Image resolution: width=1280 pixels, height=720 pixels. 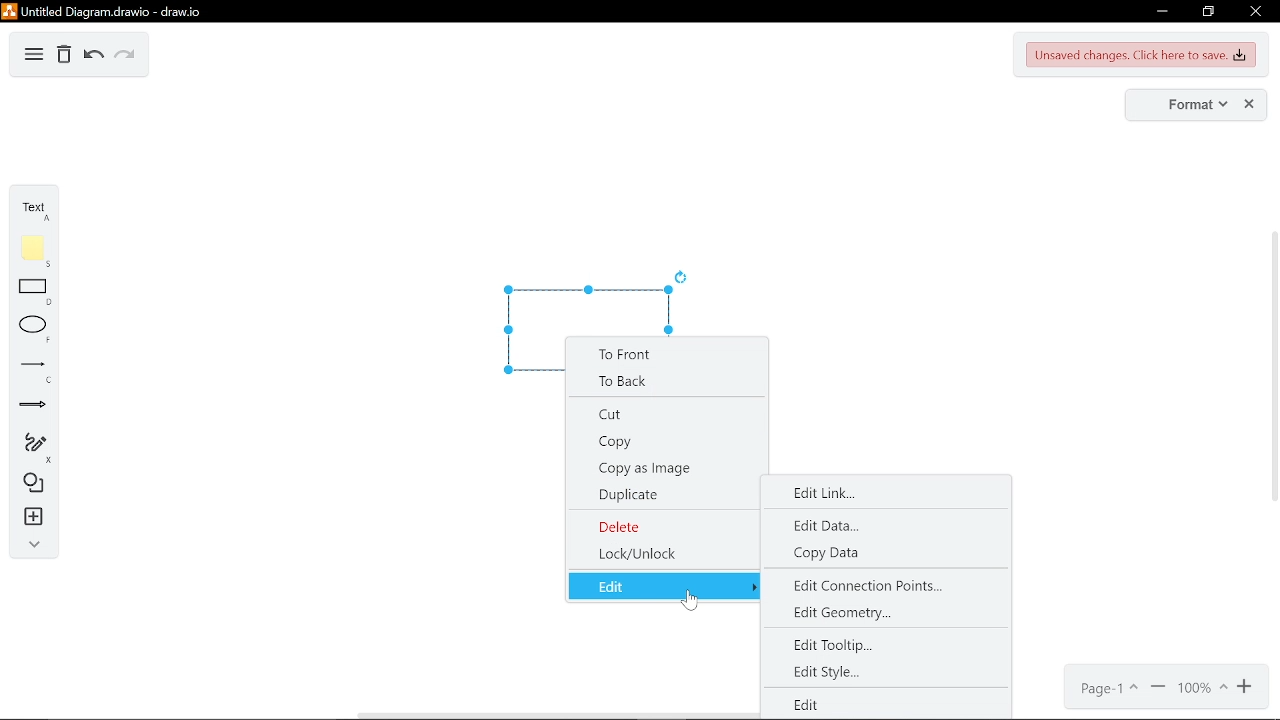 What do you see at coordinates (664, 355) in the screenshot?
I see `to front` at bounding box center [664, 355].